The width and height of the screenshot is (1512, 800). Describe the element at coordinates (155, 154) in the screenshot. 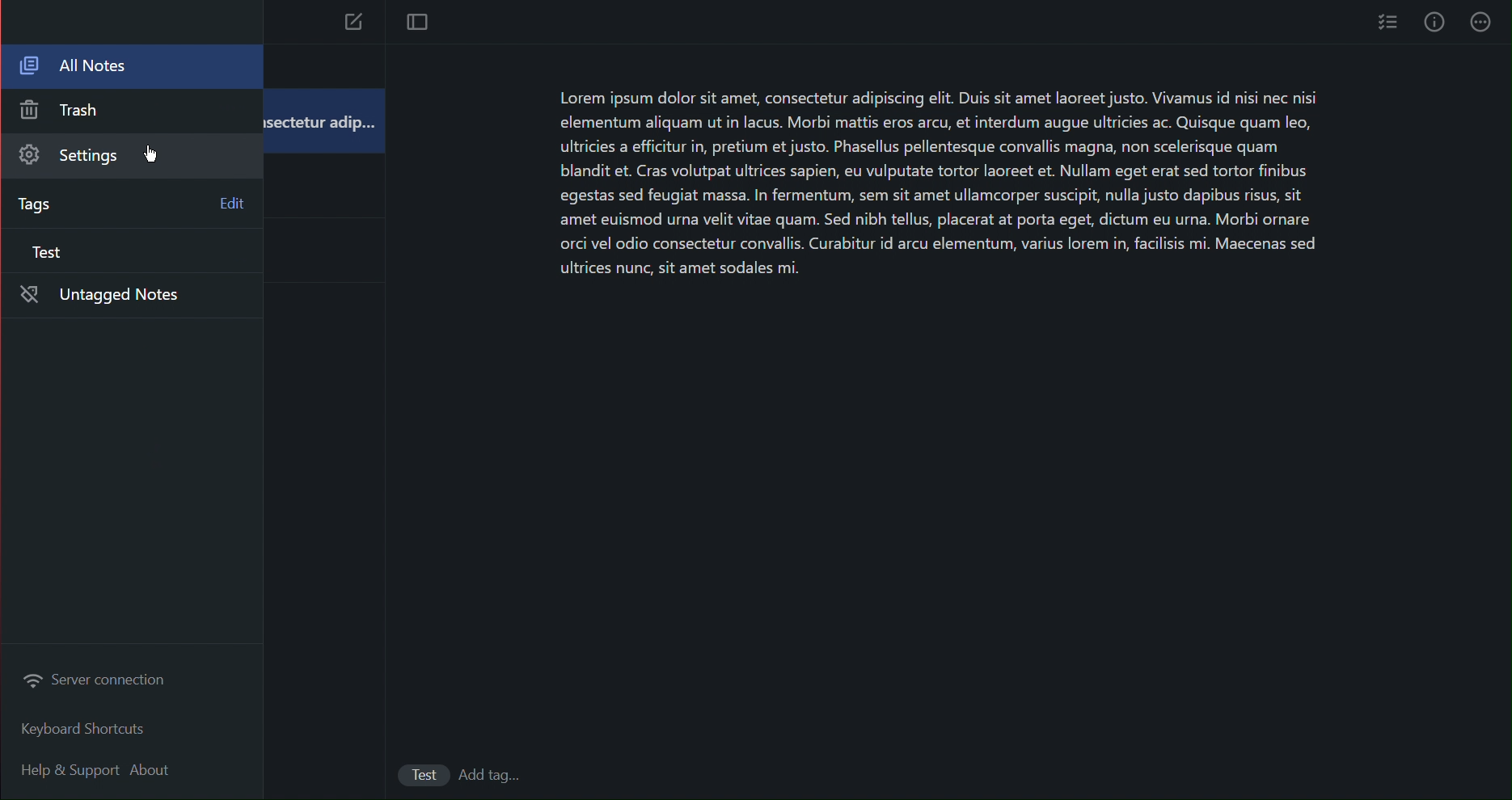

I see `cursor` at that location.